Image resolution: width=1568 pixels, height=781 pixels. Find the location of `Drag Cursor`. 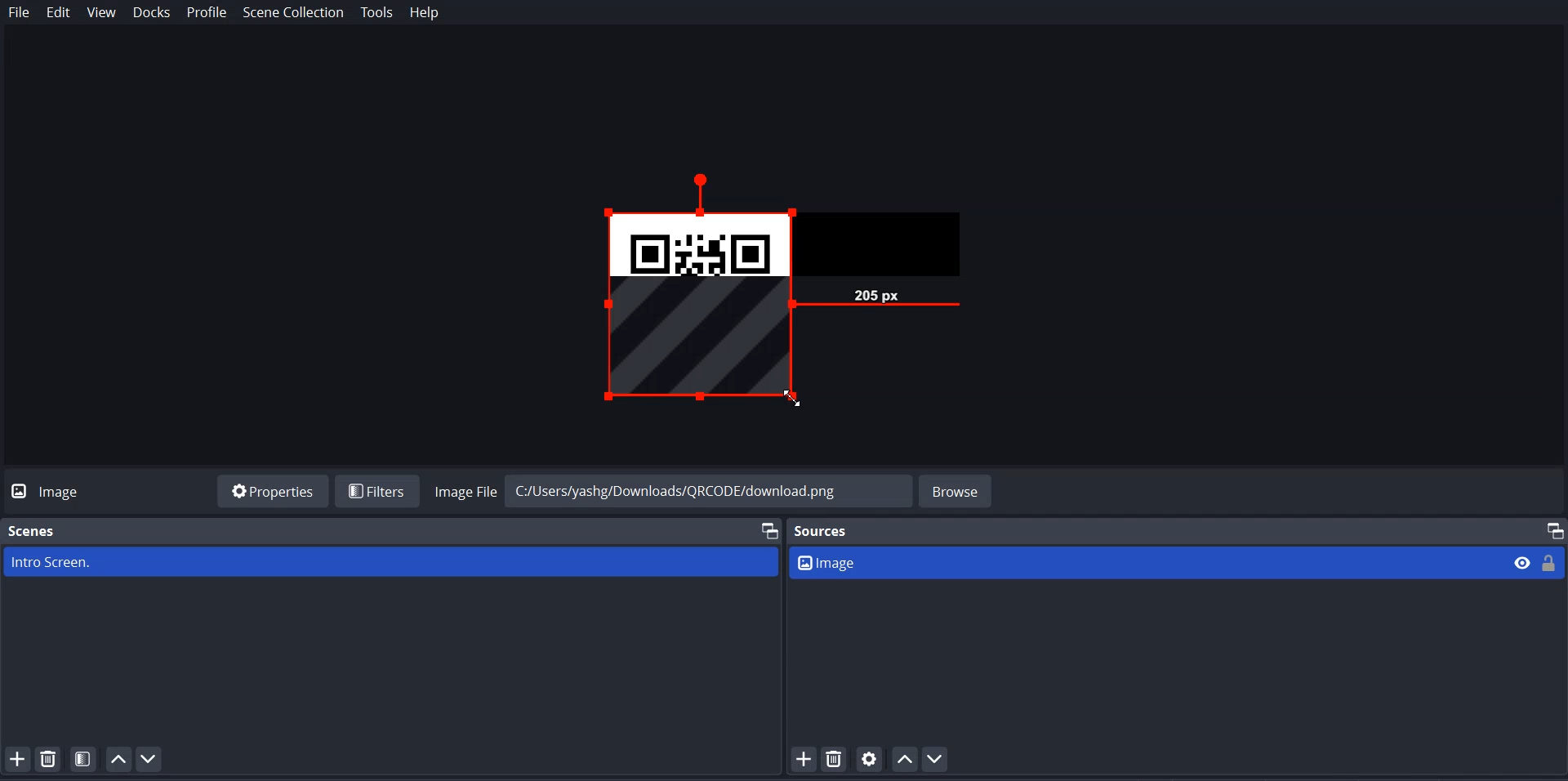

Drag Cursor is located at coordinates (791, 397).